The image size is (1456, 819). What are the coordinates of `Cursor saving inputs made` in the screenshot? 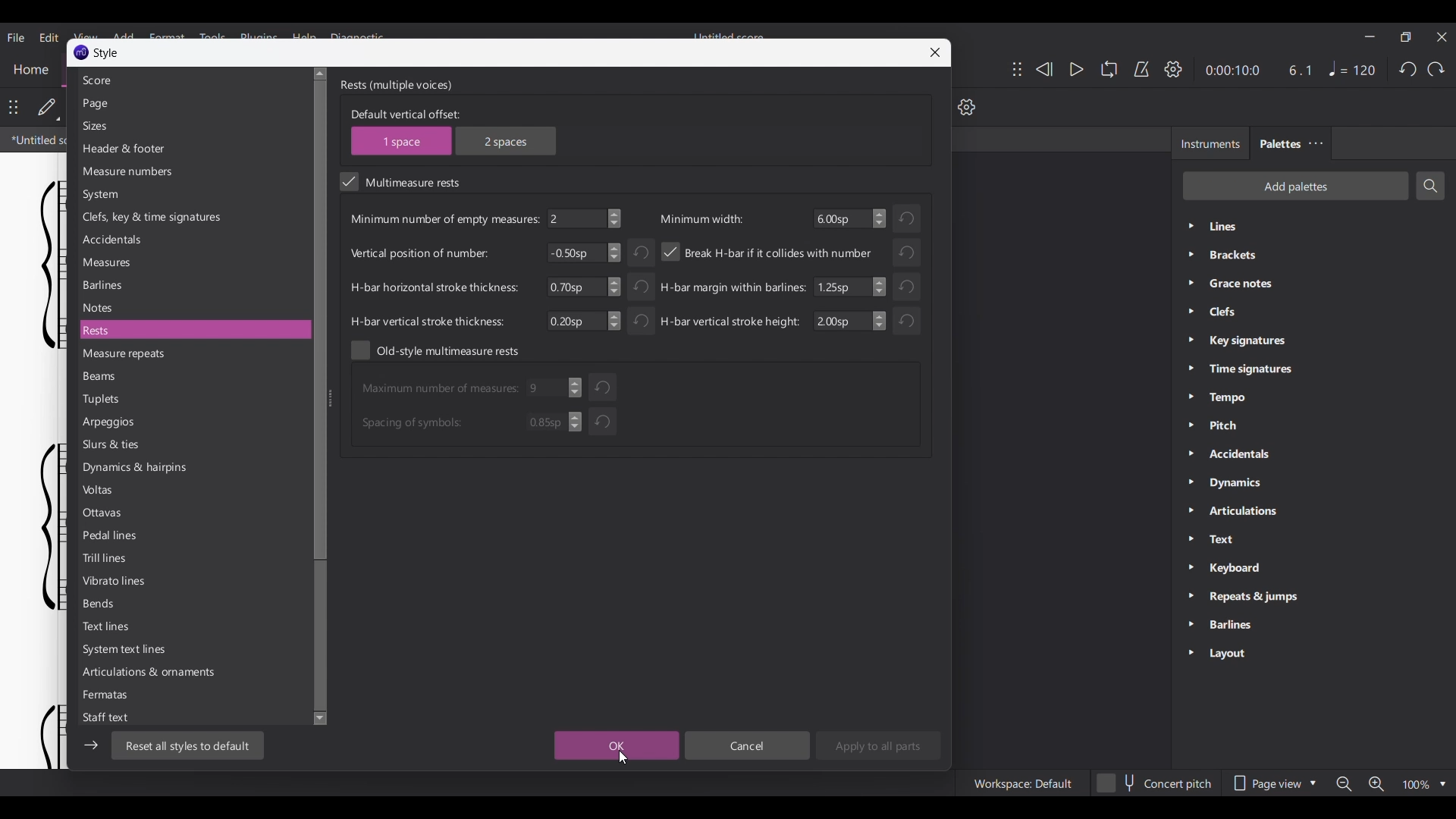 It's located at (623, 758).